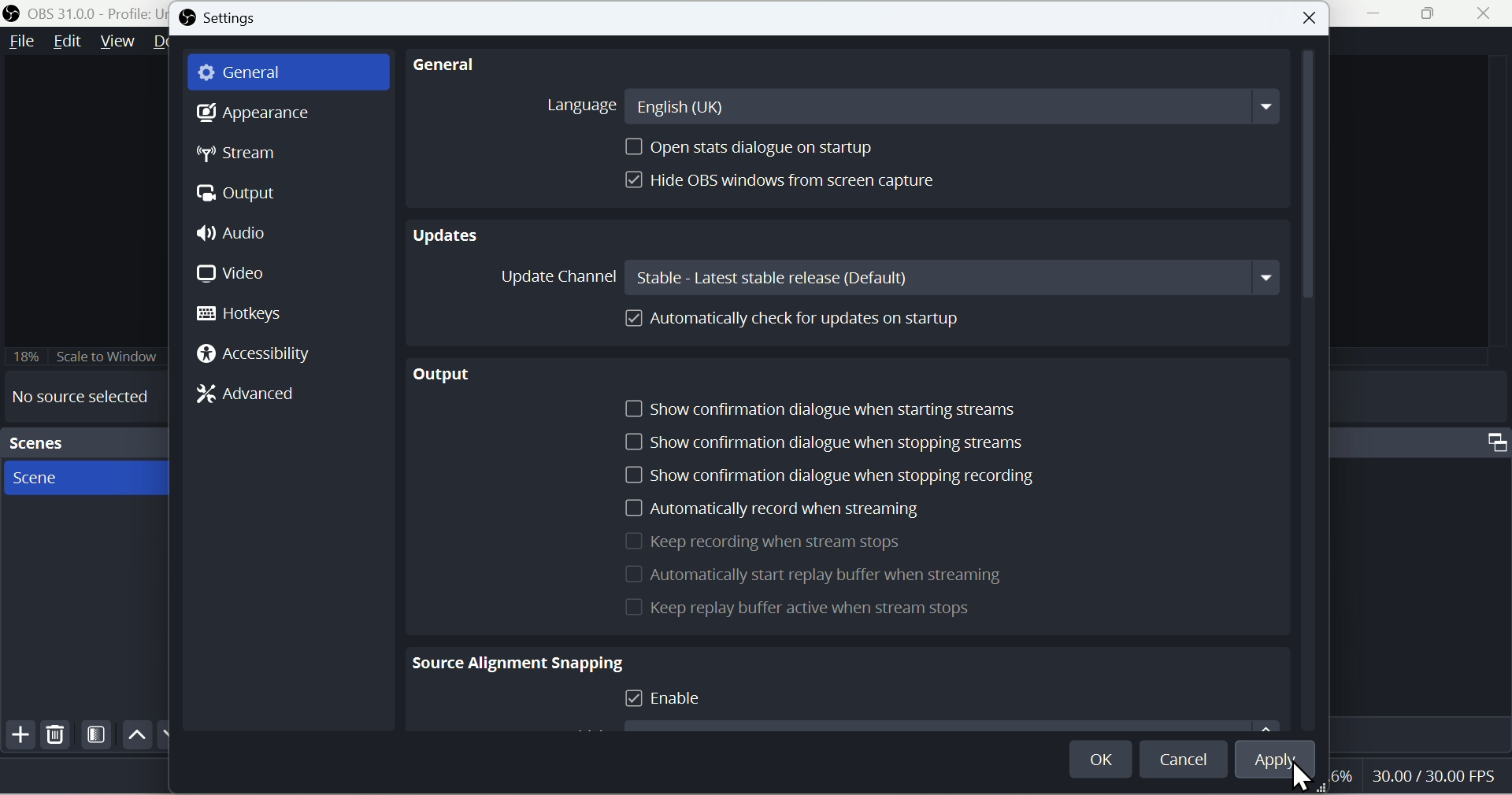 The height and width of the screenshot is (795, 1512). What do you see at coordinates (1308, 179) in the screenshot?
I see `Vertical Scrollbar` at bounding box center [1308, 179].